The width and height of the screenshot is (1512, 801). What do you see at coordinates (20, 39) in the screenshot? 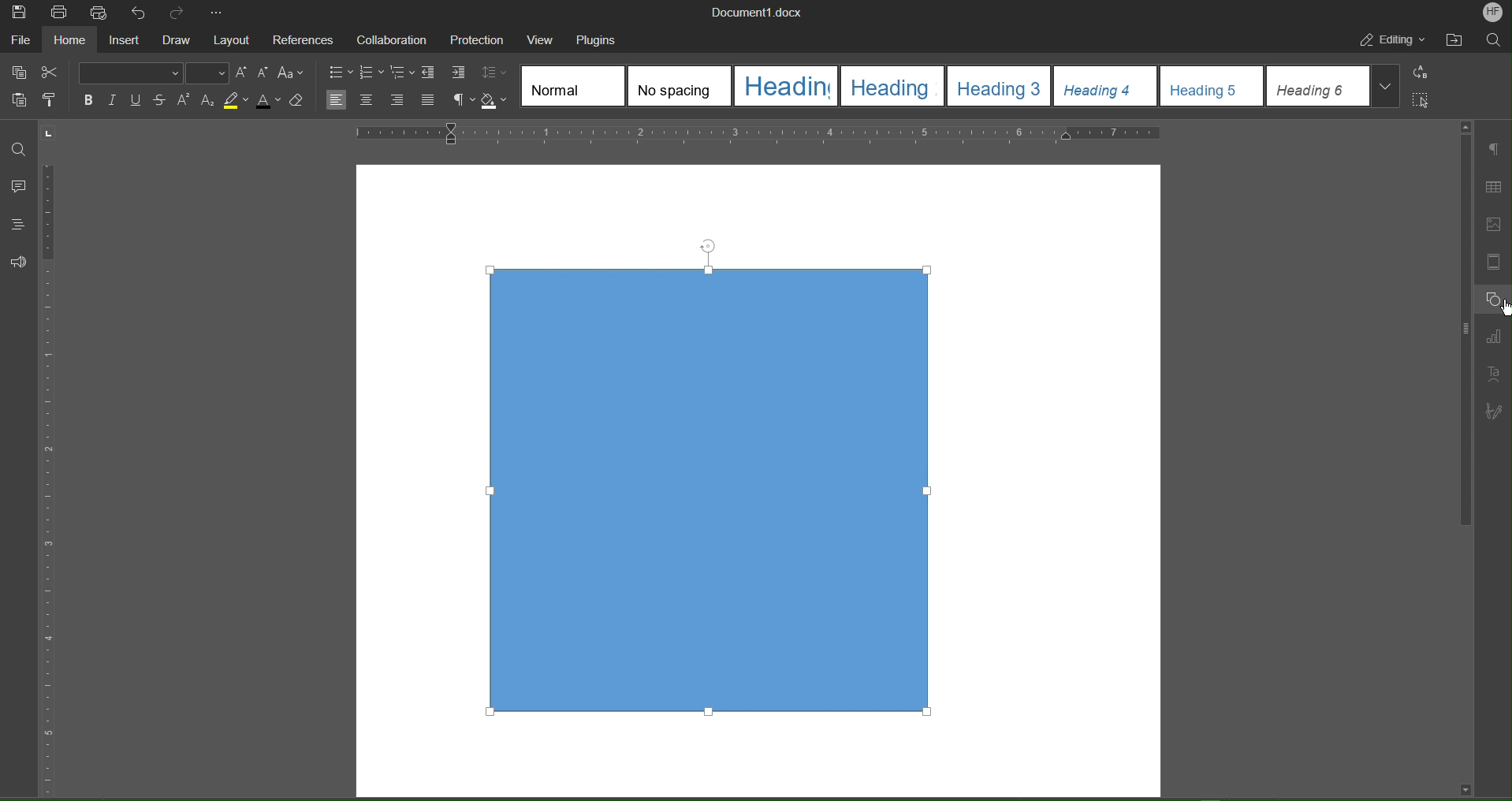
I see `File` at bounding box center [20, 39].